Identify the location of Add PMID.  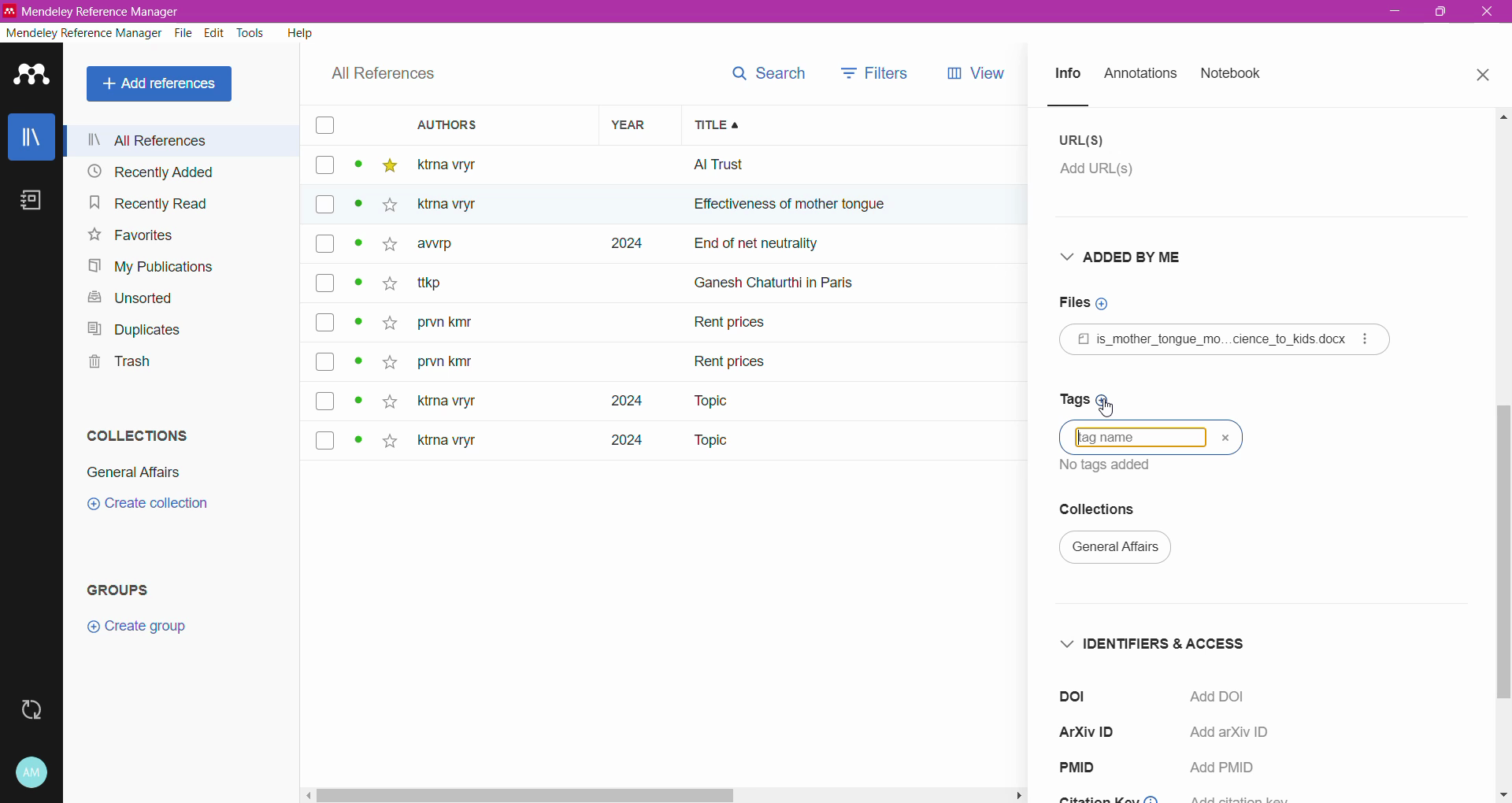
(1228, 764).